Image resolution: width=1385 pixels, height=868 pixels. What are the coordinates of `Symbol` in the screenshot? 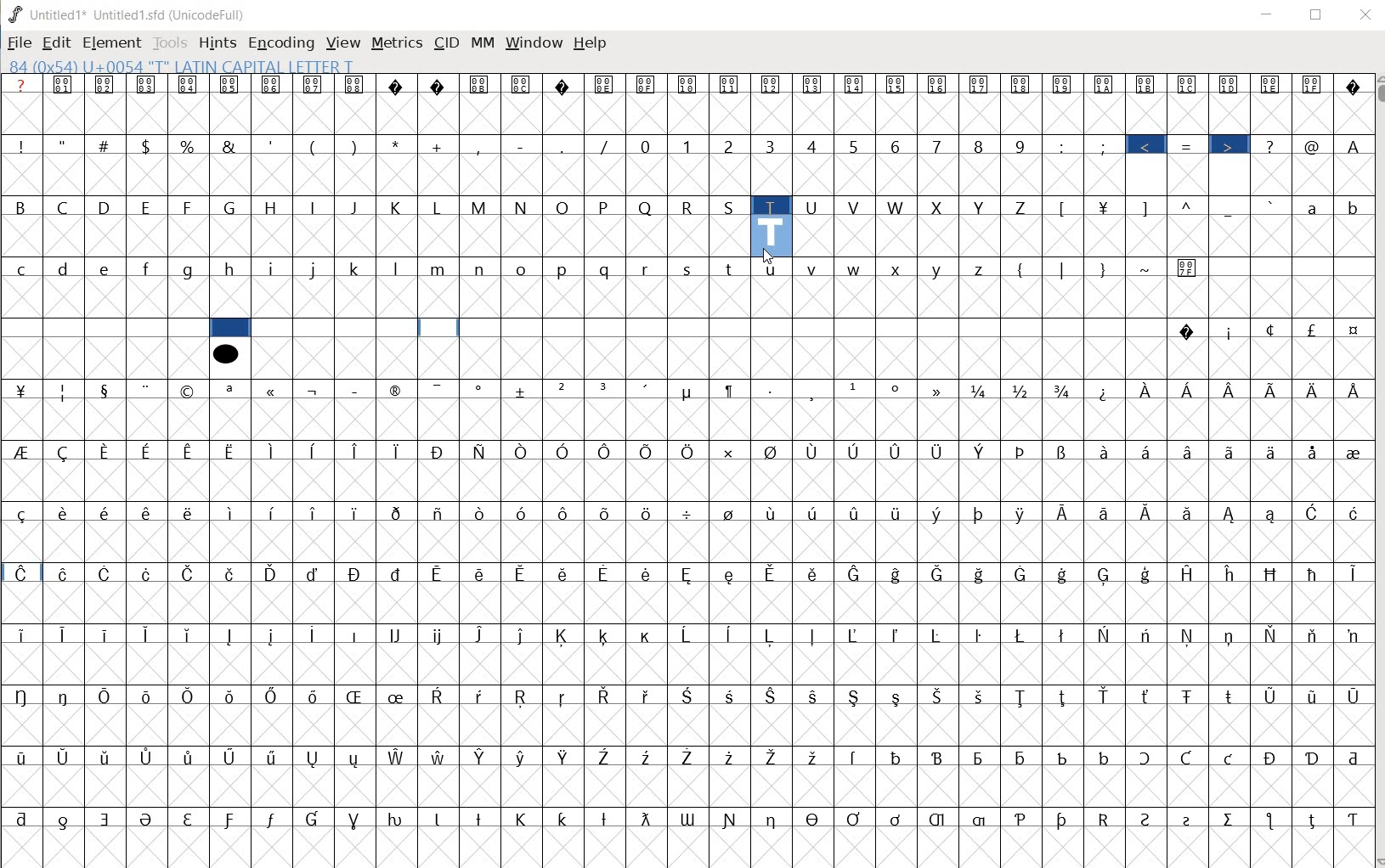 It's located at (149, 511).